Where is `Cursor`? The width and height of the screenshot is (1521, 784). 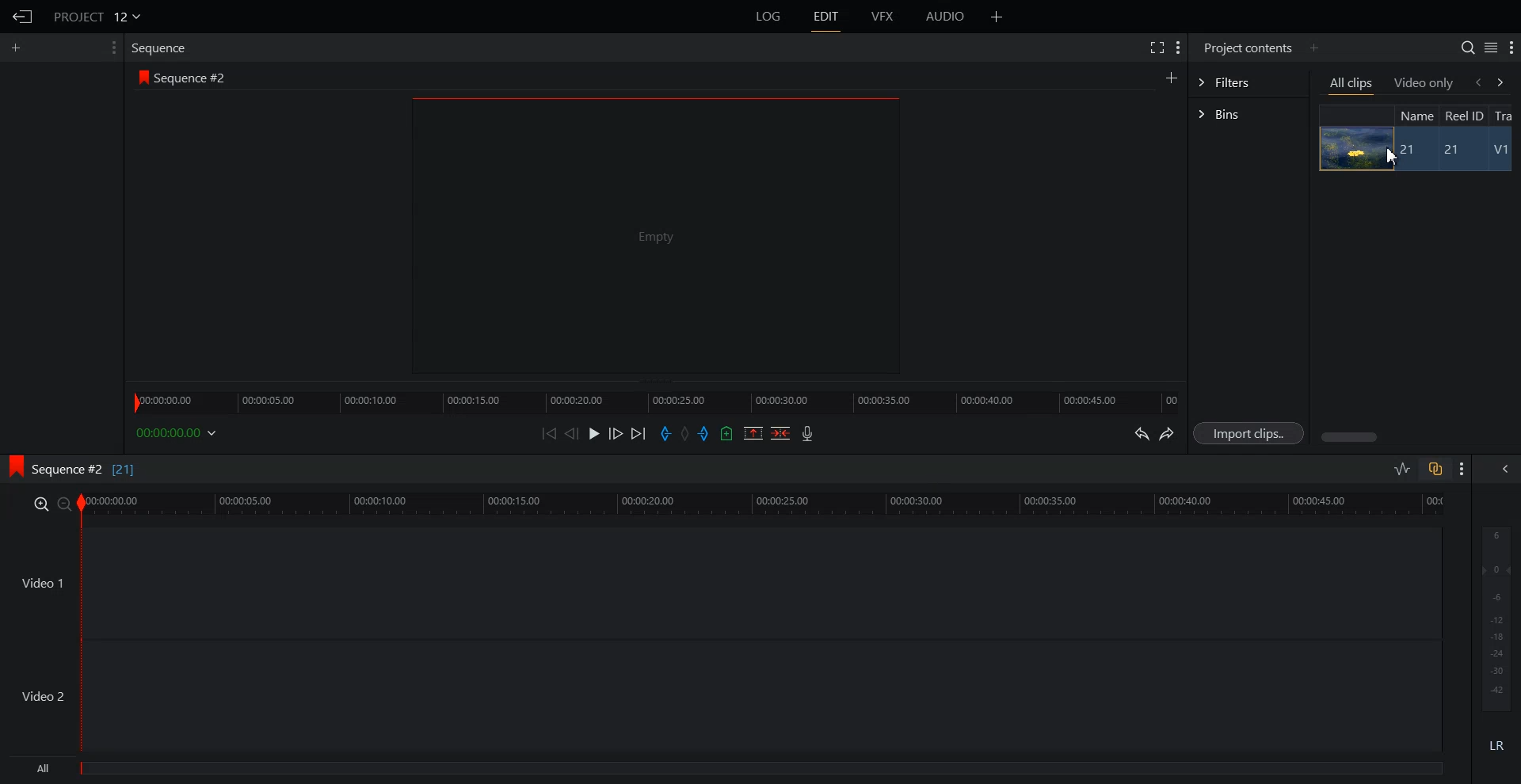
Cursor is located at coordinates (1393, 158).